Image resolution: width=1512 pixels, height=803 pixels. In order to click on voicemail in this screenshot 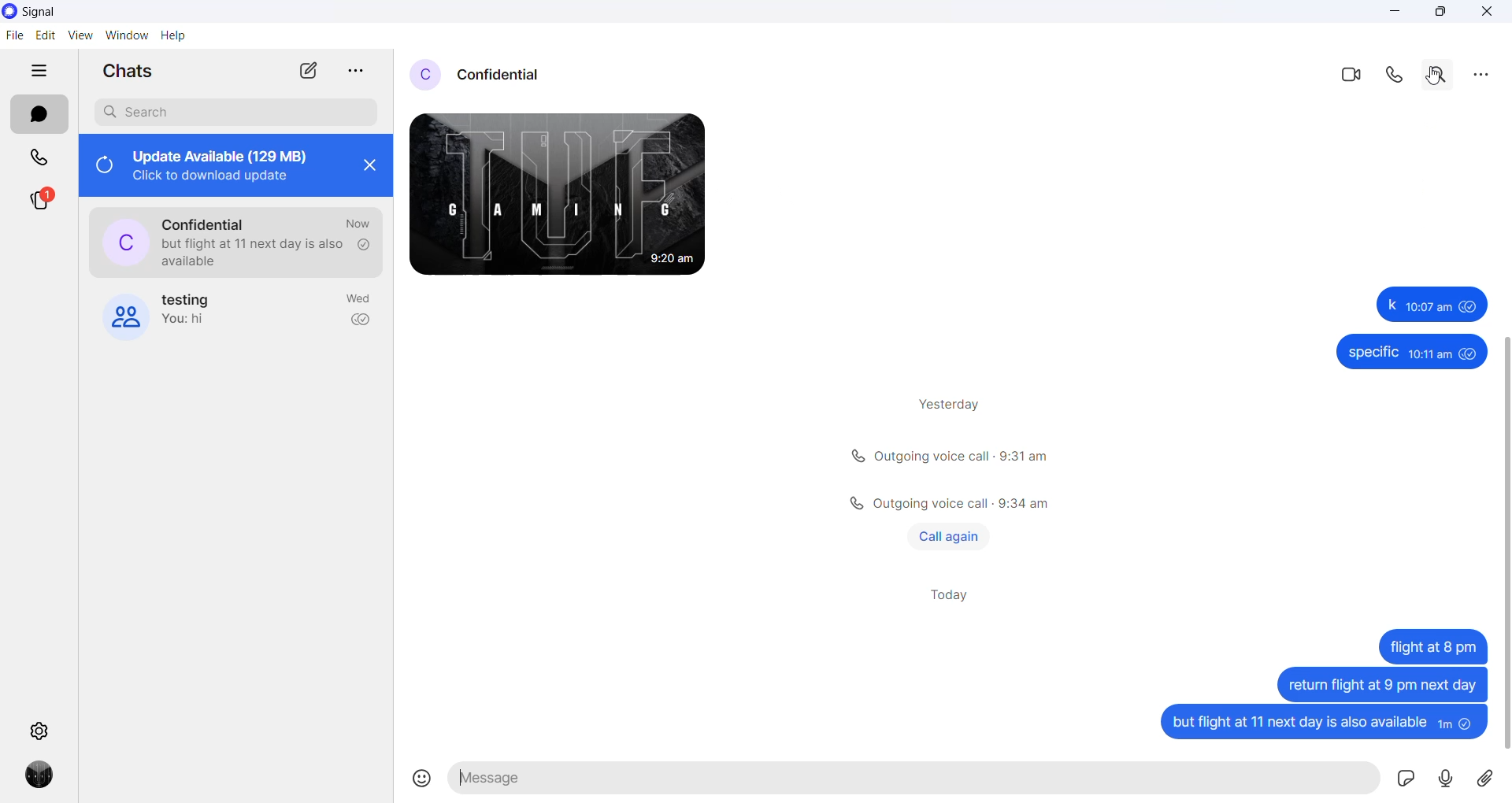, I will do `click(1448, 779)`.